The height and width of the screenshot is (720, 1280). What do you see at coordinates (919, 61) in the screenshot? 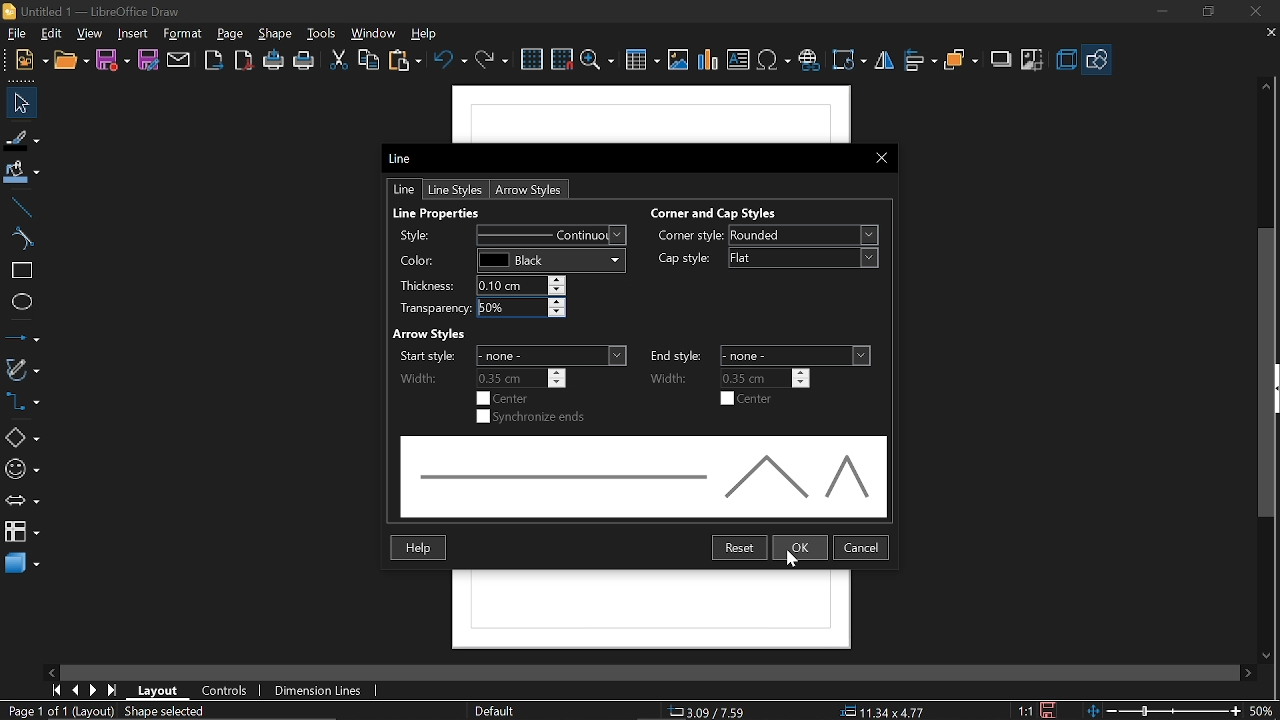
I see `allign` at bounding box center [919, 61].